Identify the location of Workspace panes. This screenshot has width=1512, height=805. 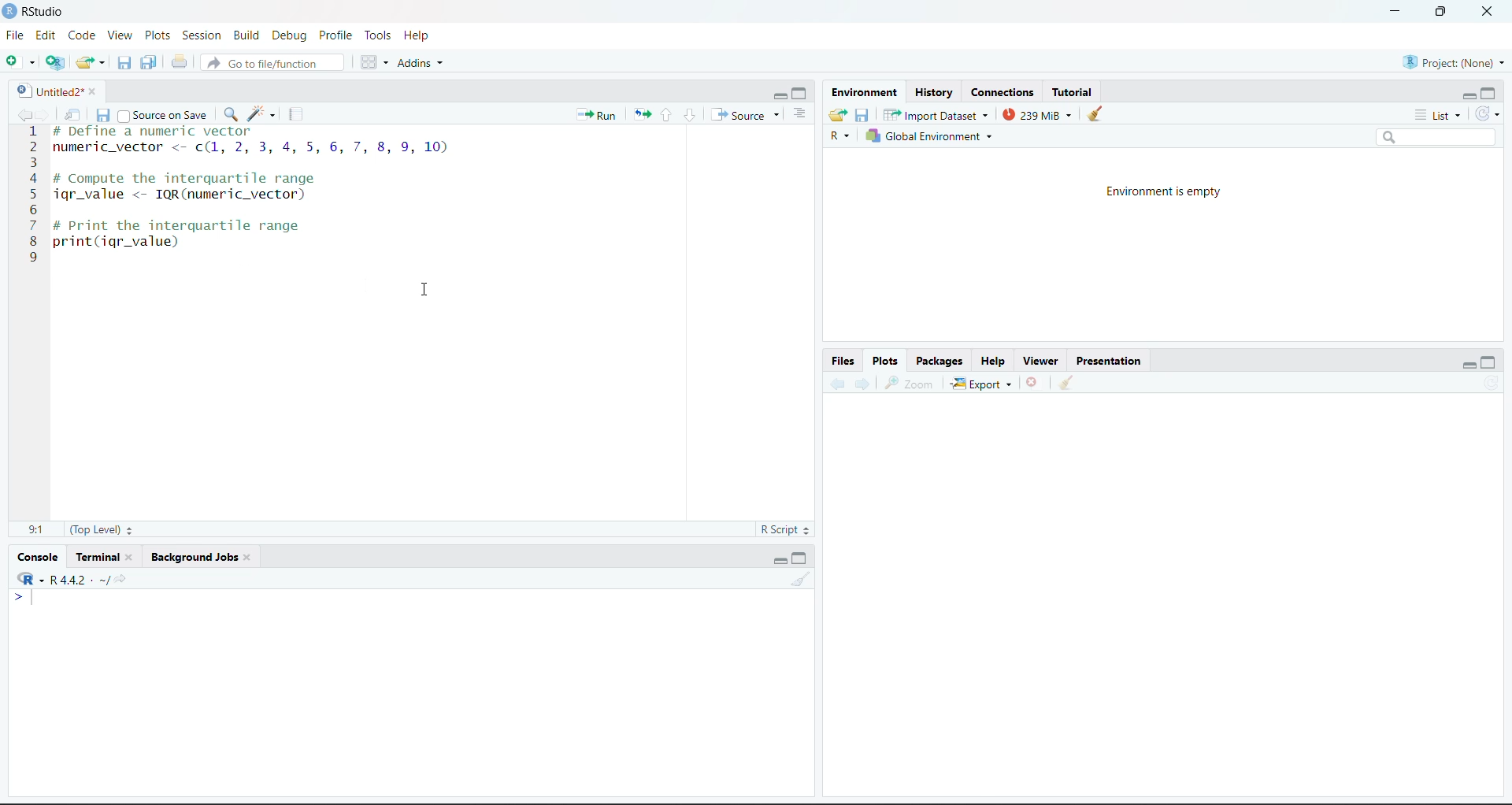
(370, 61).